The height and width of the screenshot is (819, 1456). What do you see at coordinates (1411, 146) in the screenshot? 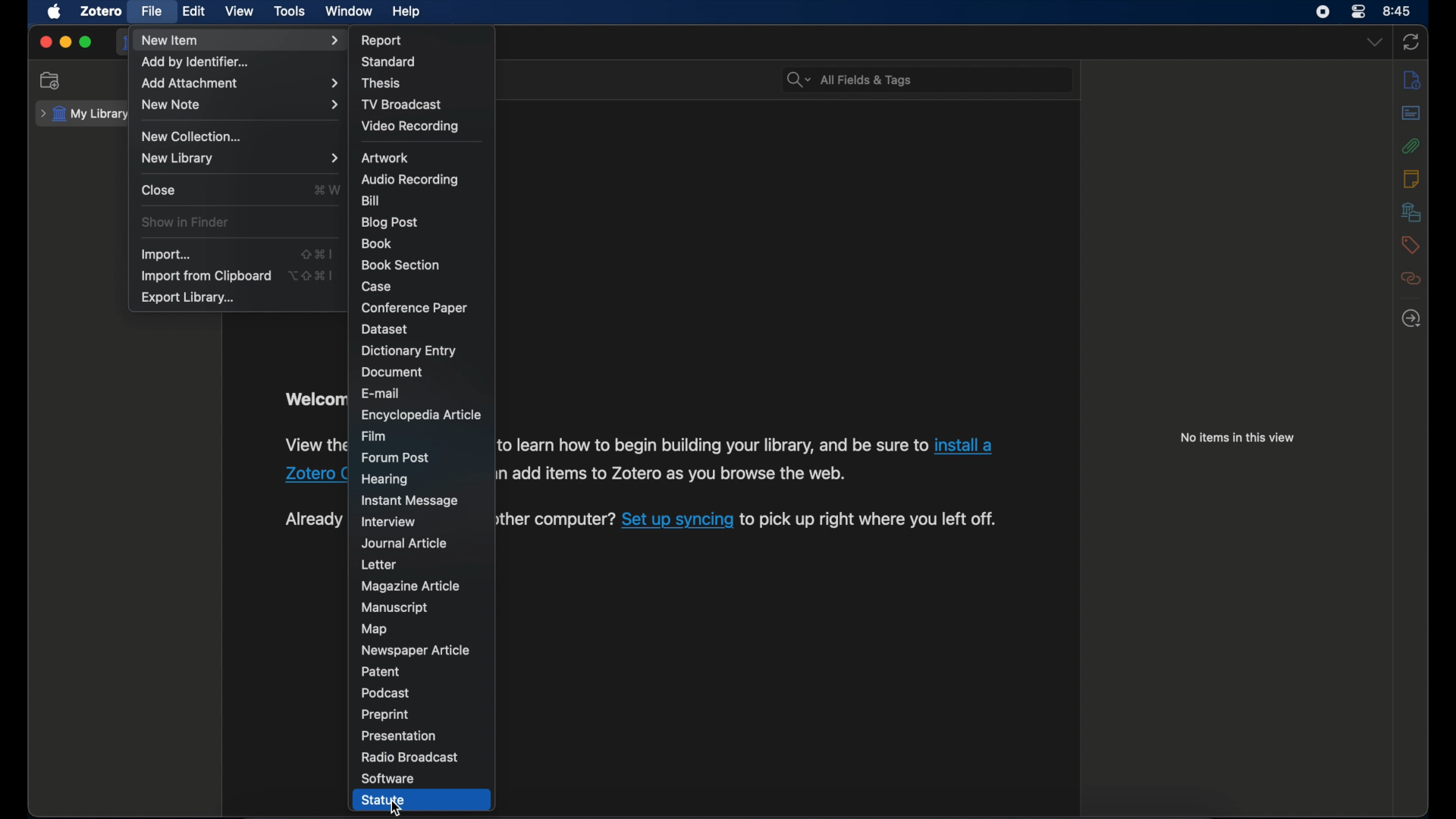
I see `attachments` at bounding box center [1411, 146].